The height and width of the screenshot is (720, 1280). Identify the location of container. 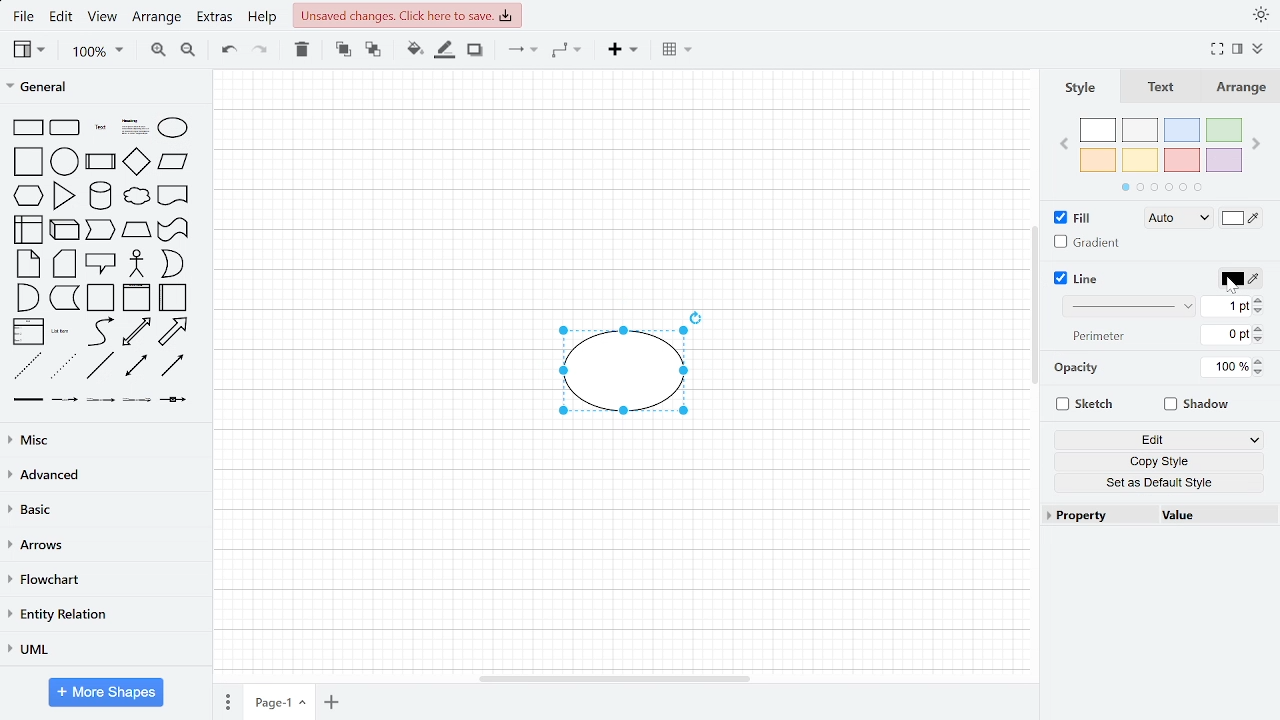
(101, 298).